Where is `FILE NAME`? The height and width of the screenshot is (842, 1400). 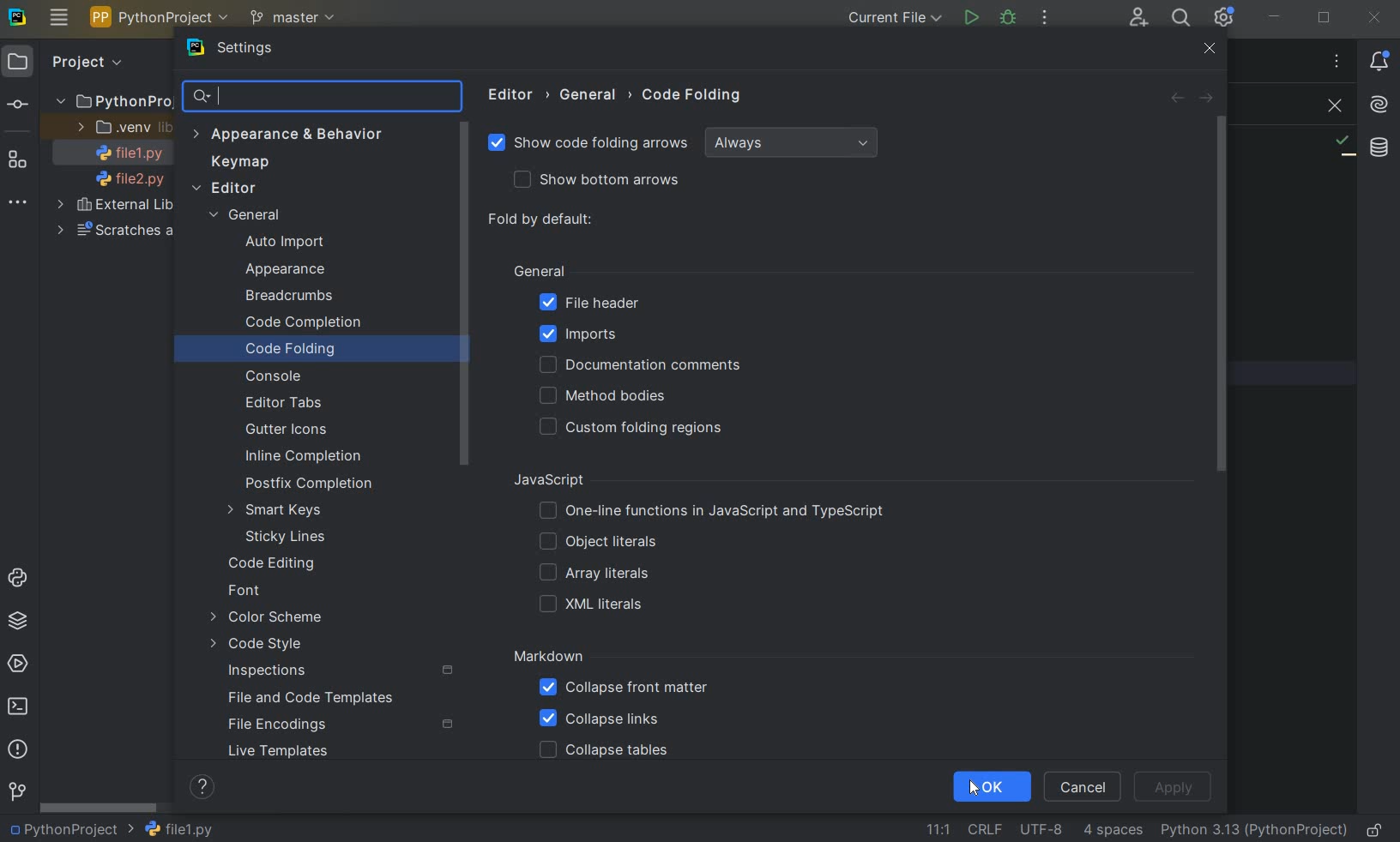
FILE NAME is located at coordinates (178, 829).